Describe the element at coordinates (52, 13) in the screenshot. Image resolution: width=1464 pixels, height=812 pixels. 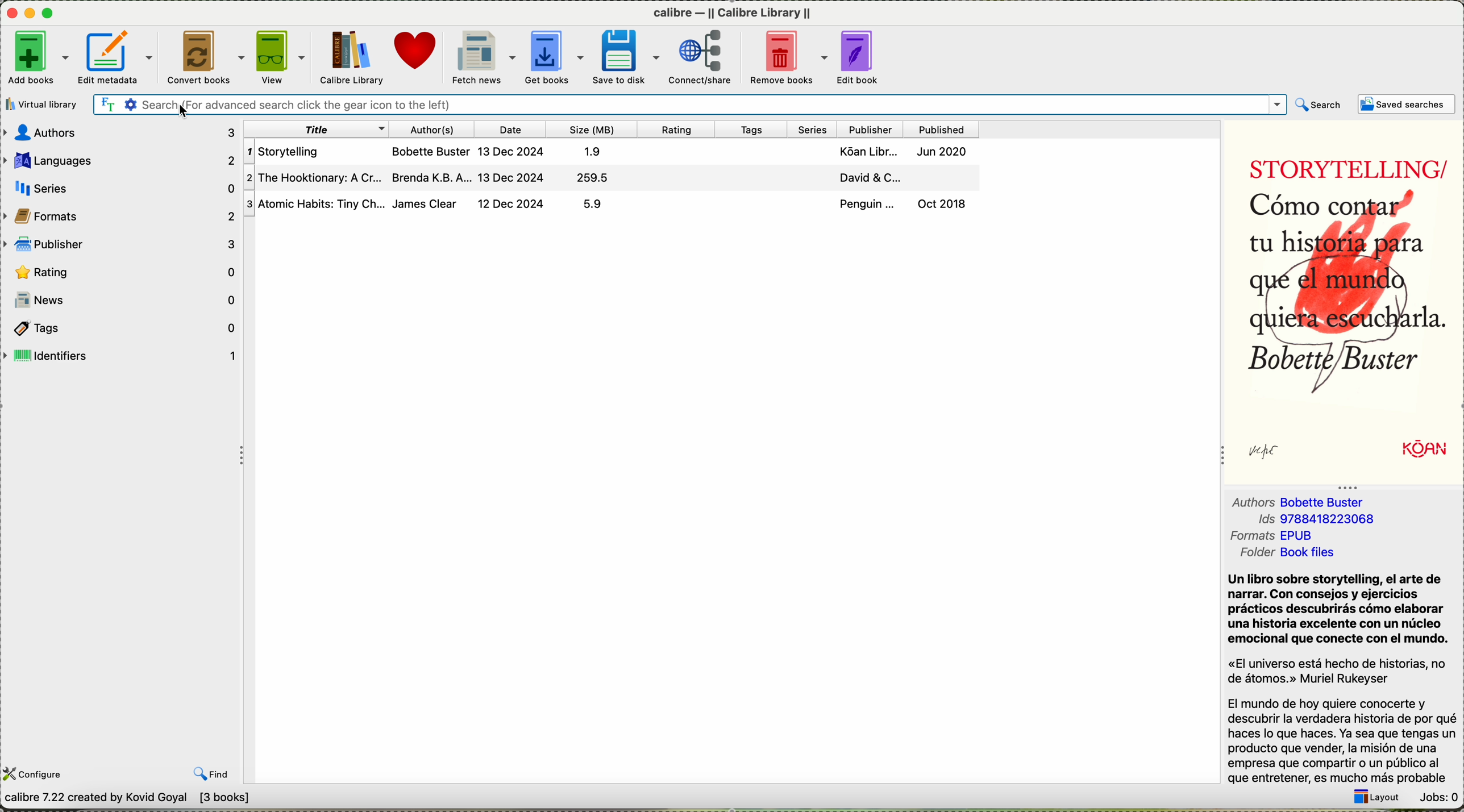
I see `maximize ` at that location.